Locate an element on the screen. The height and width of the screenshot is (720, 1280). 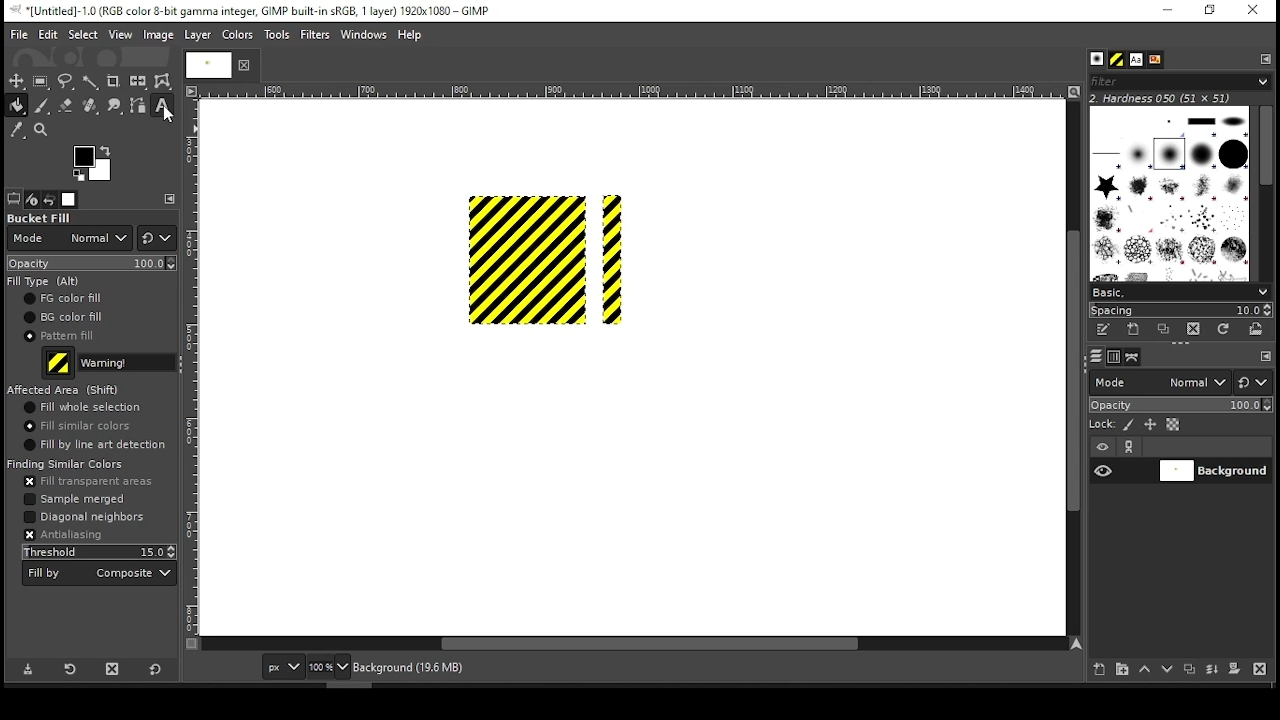
shape (pattern fill) is located at coordinates (610, 262).